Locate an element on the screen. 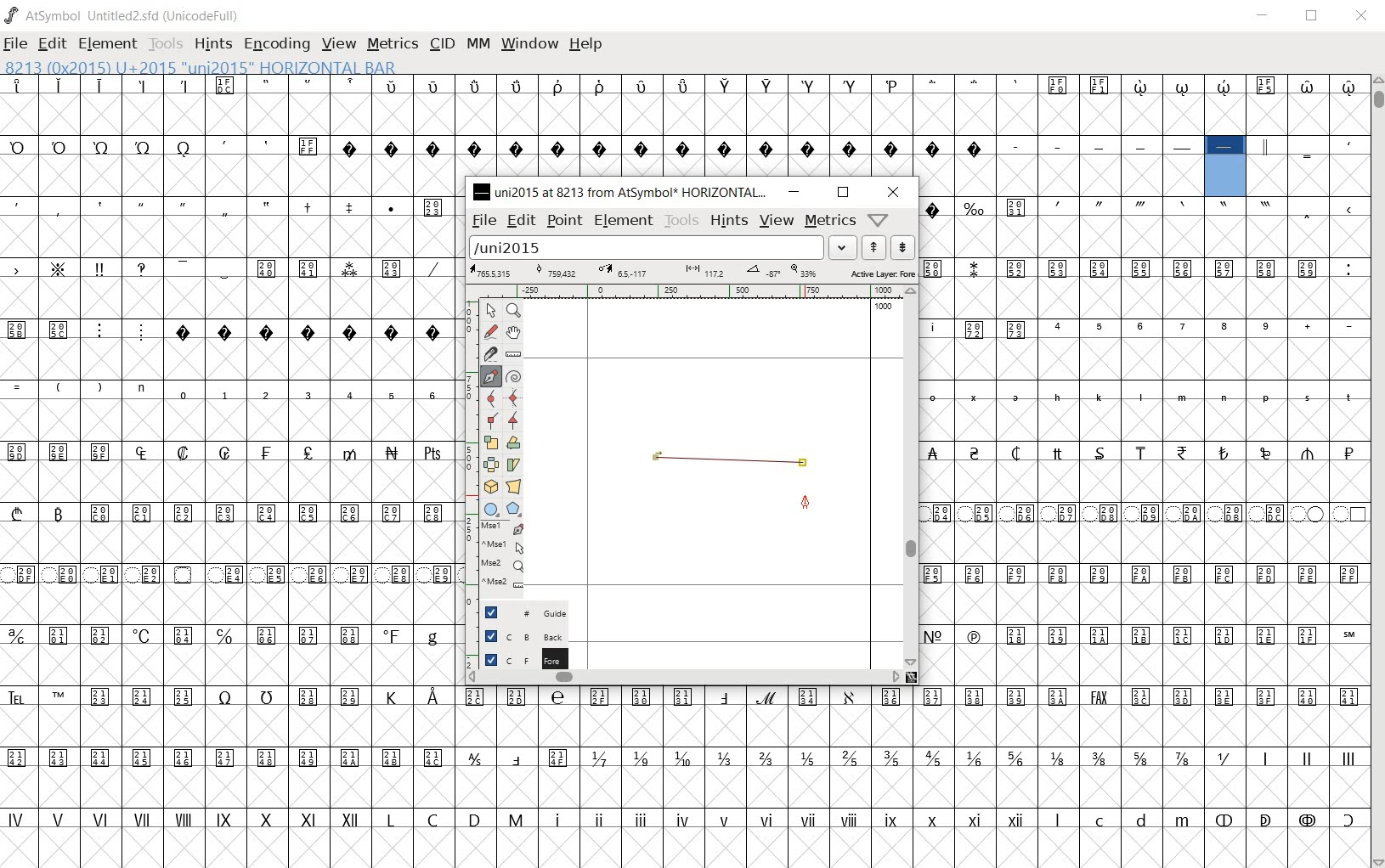 Image resolution: width=1385 pixels, height=868 pixels. EDIT is located at coordinates (52, 43).